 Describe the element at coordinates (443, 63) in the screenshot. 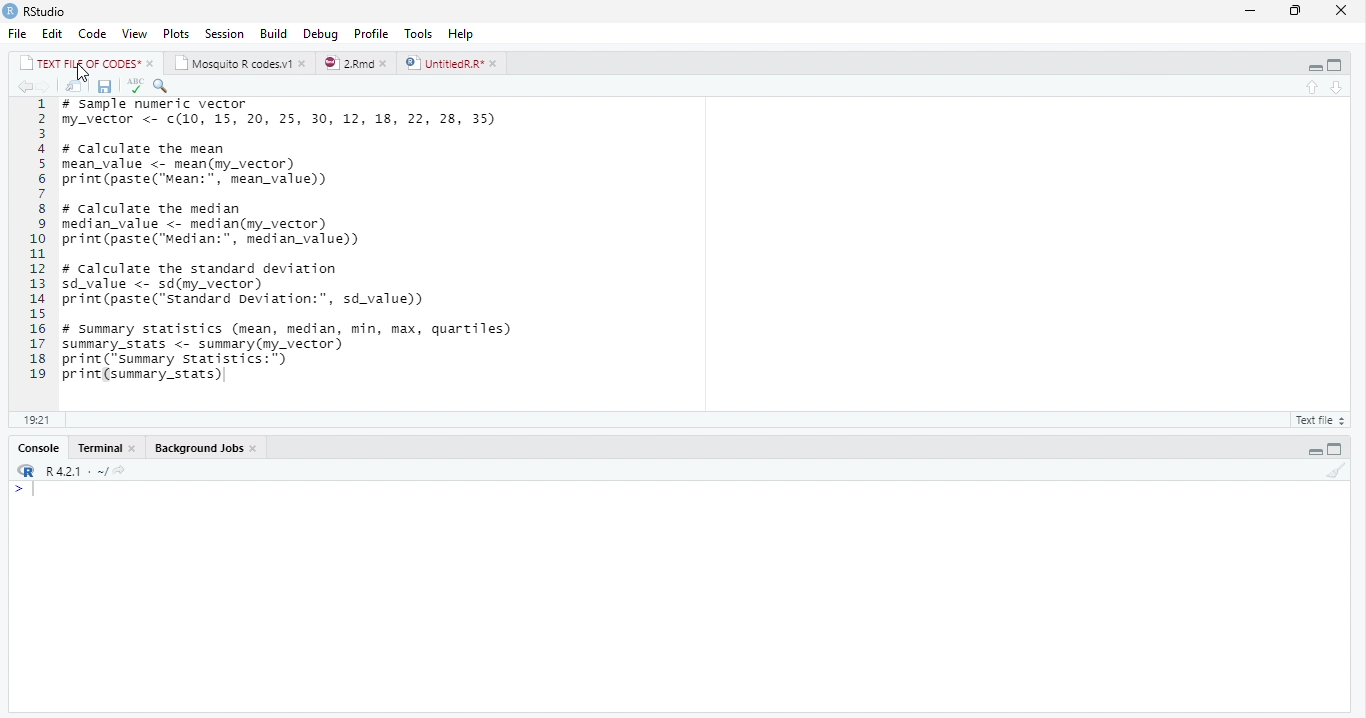

I see `UntitledR.R` at that location.